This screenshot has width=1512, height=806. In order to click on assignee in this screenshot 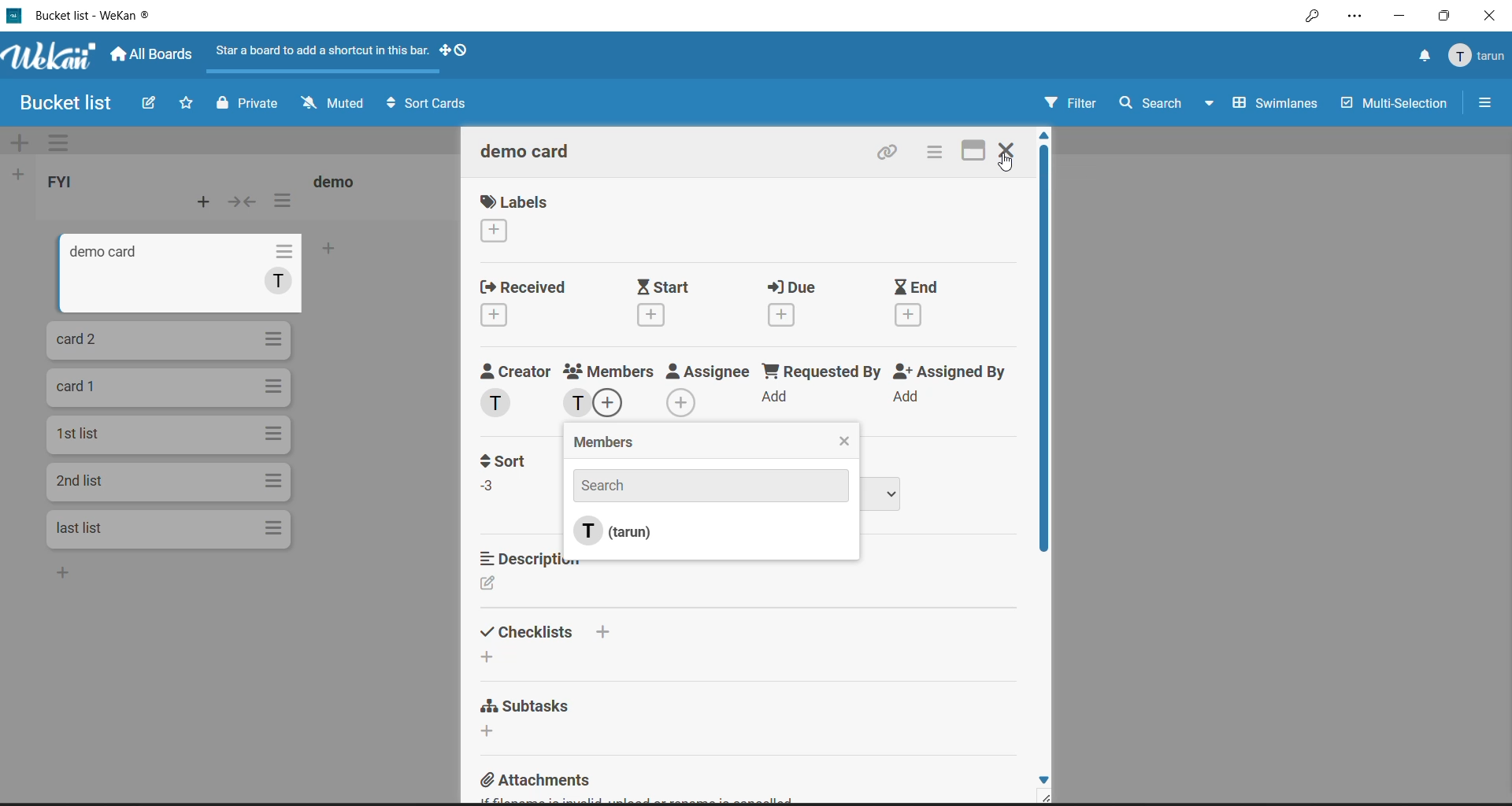, I will do `click(709, 373)`.